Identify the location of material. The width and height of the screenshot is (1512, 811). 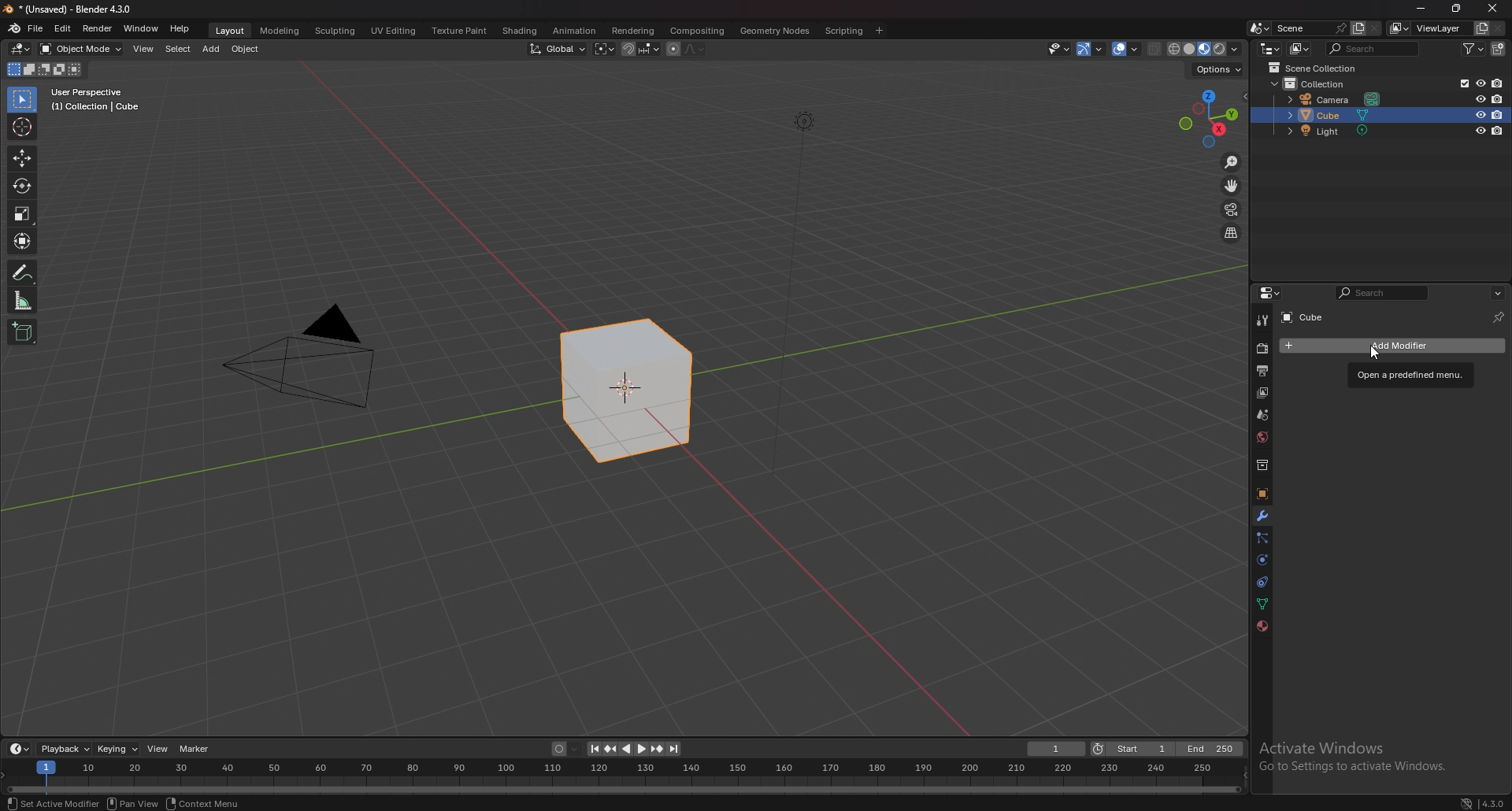
(1262, 624).